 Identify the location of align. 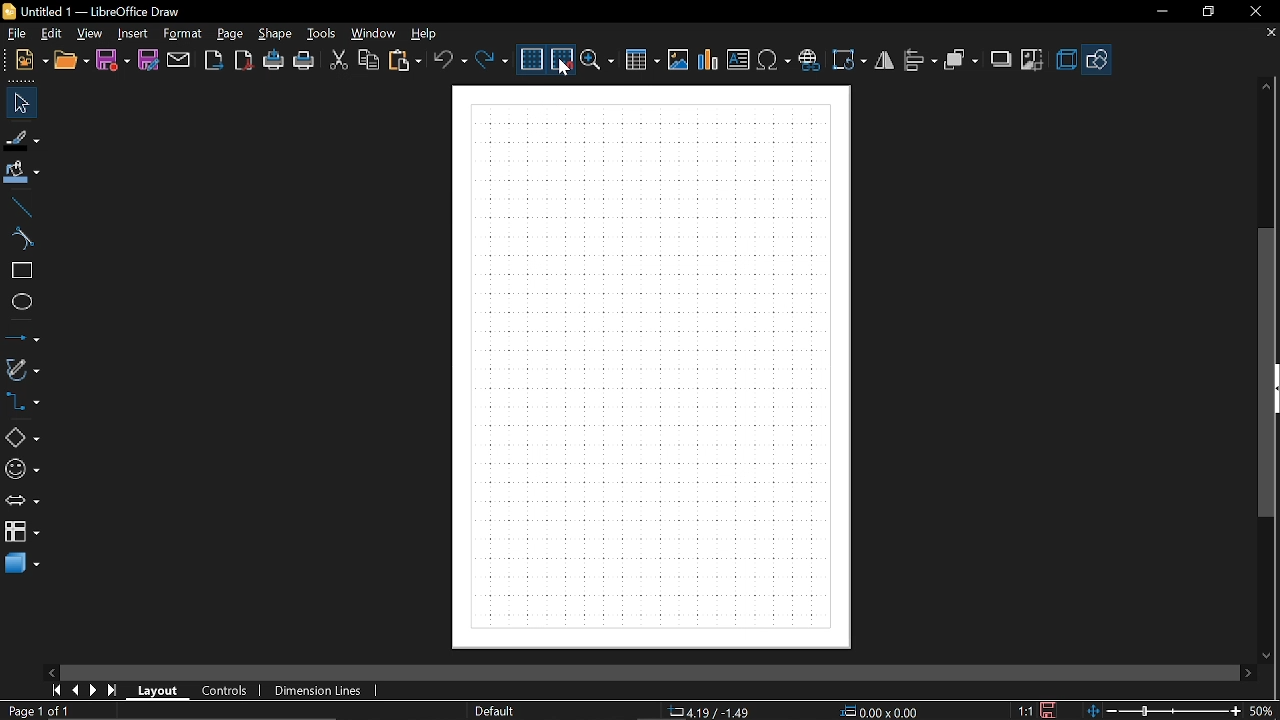
(922, 61).